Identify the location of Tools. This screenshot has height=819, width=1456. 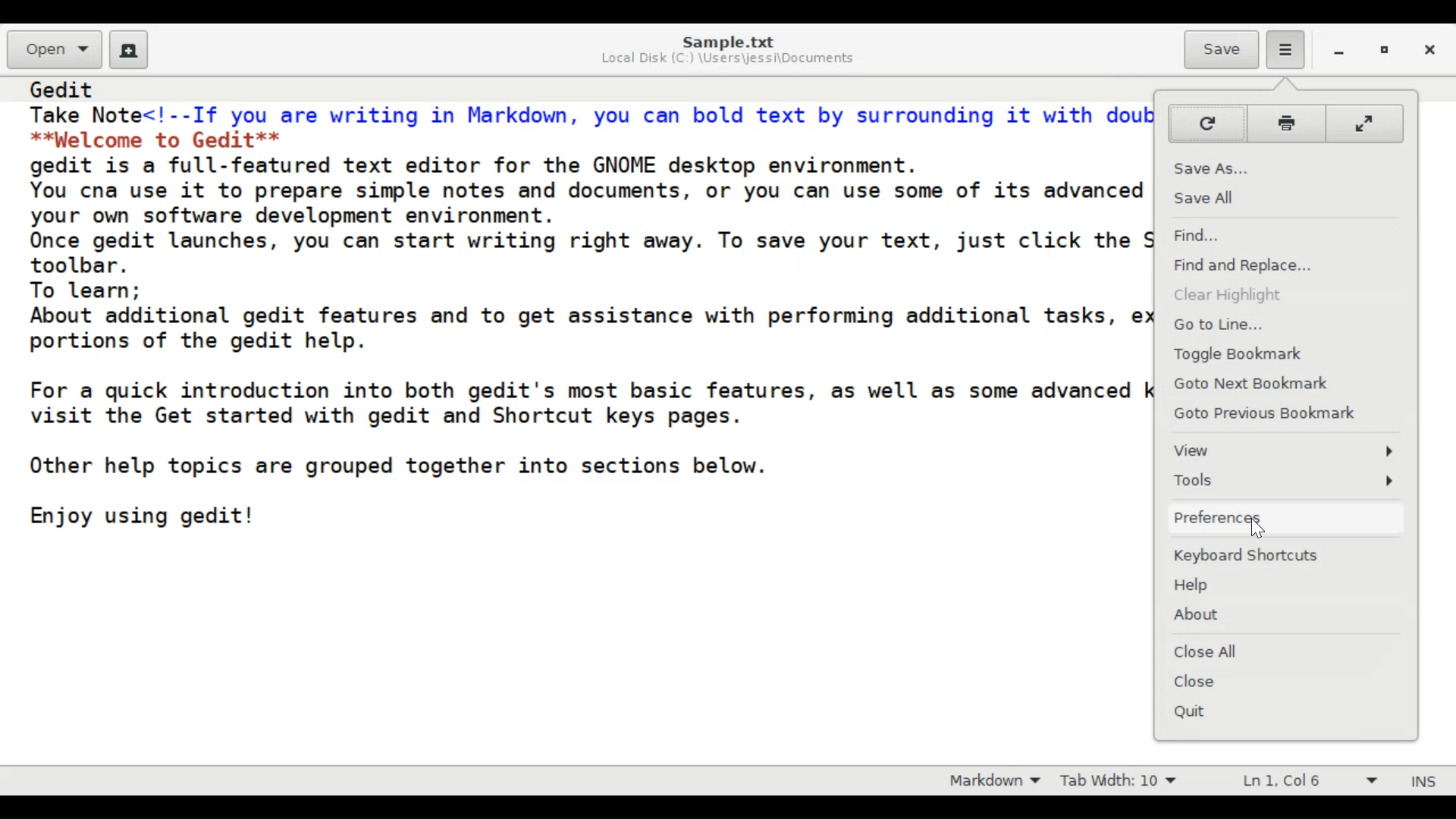
(1284, 482).